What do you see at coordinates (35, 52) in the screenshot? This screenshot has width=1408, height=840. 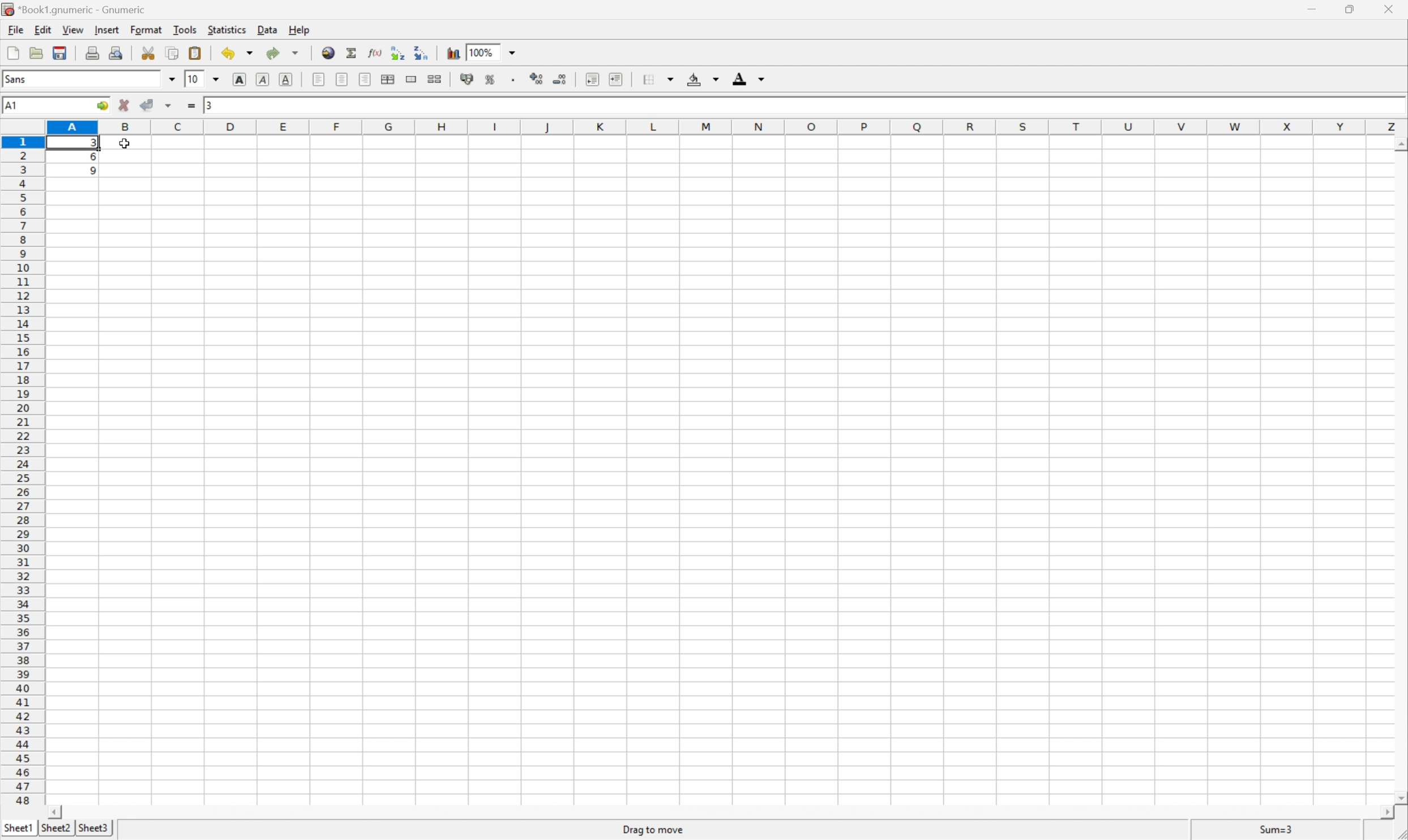 I see `Open a file` at bounding box center [35, 52].